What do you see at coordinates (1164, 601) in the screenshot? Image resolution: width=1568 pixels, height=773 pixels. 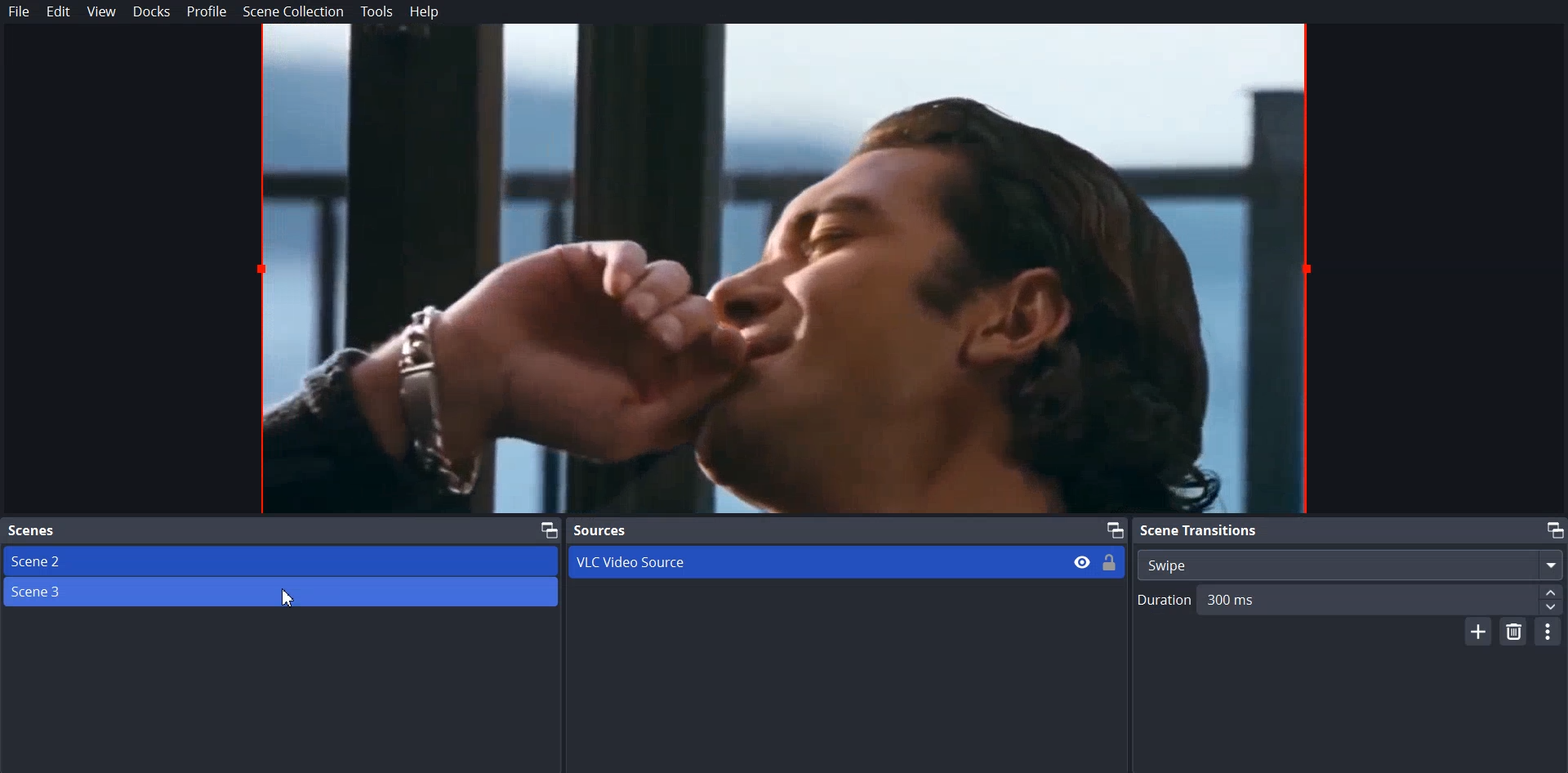 I see `Duration` at bounding box center [1164, 601].